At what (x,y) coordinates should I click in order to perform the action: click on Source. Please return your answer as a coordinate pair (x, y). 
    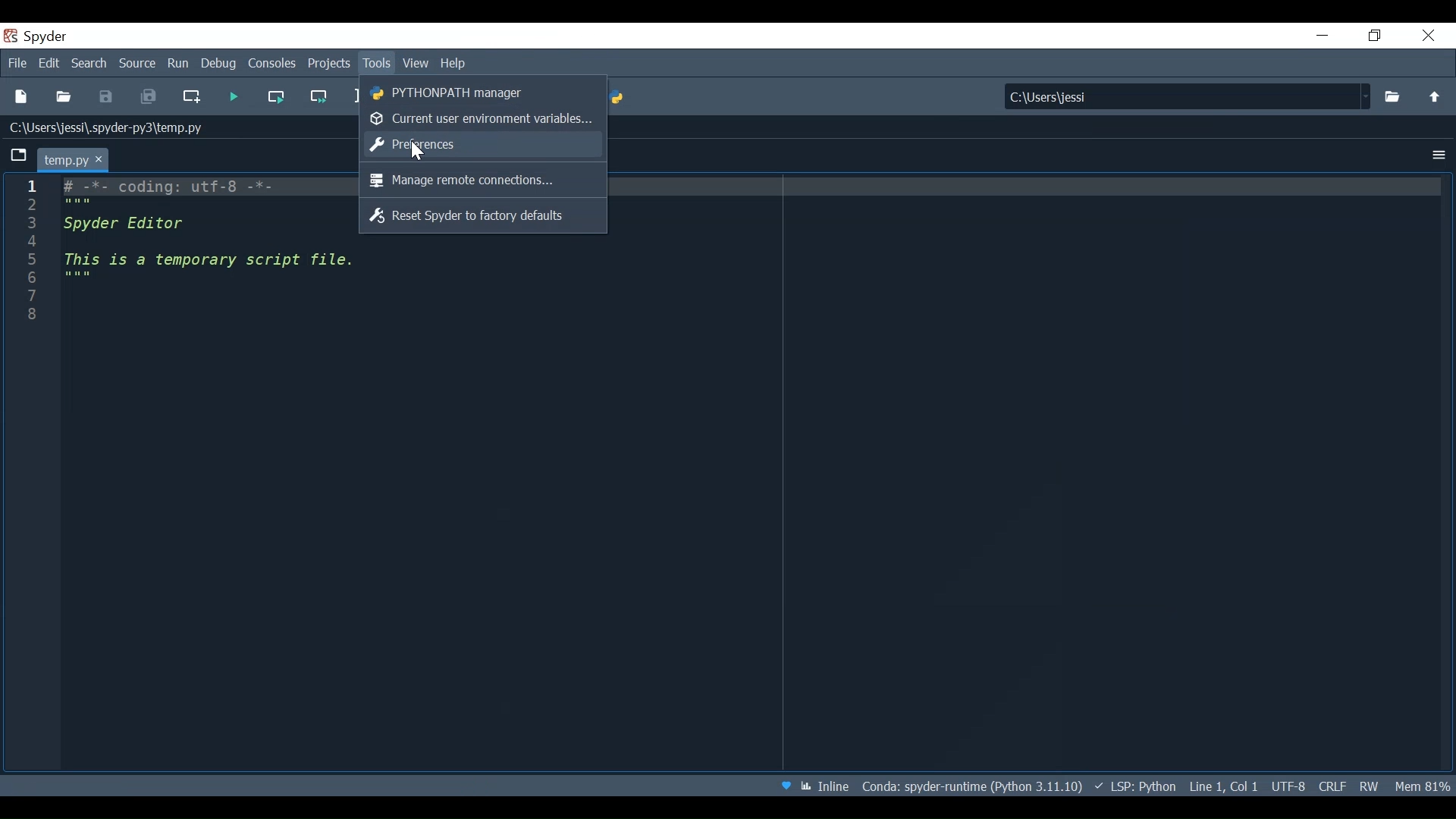
    Looking at the image, I should click on (138, 64).